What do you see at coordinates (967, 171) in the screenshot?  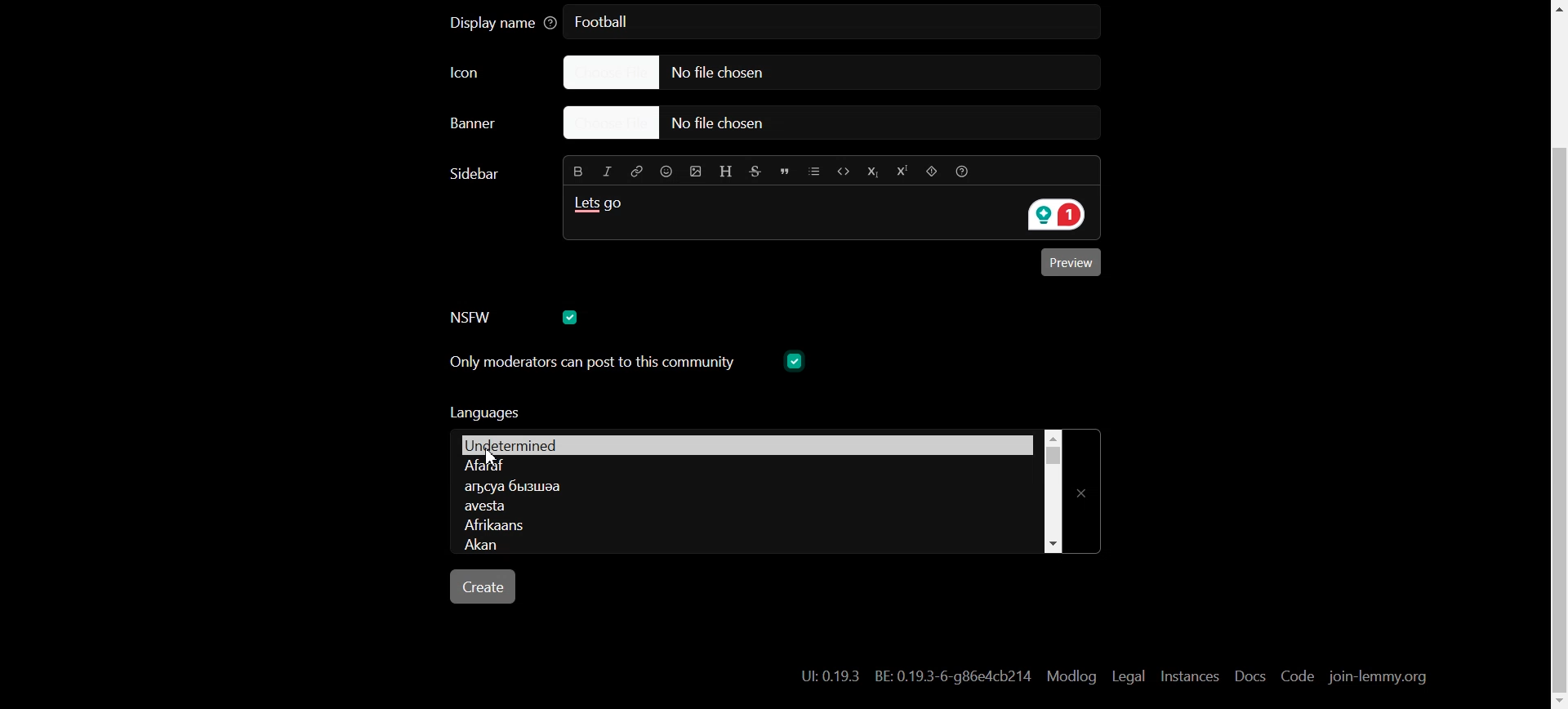 I see `Formatting Help` at bounding box center [967, 171].